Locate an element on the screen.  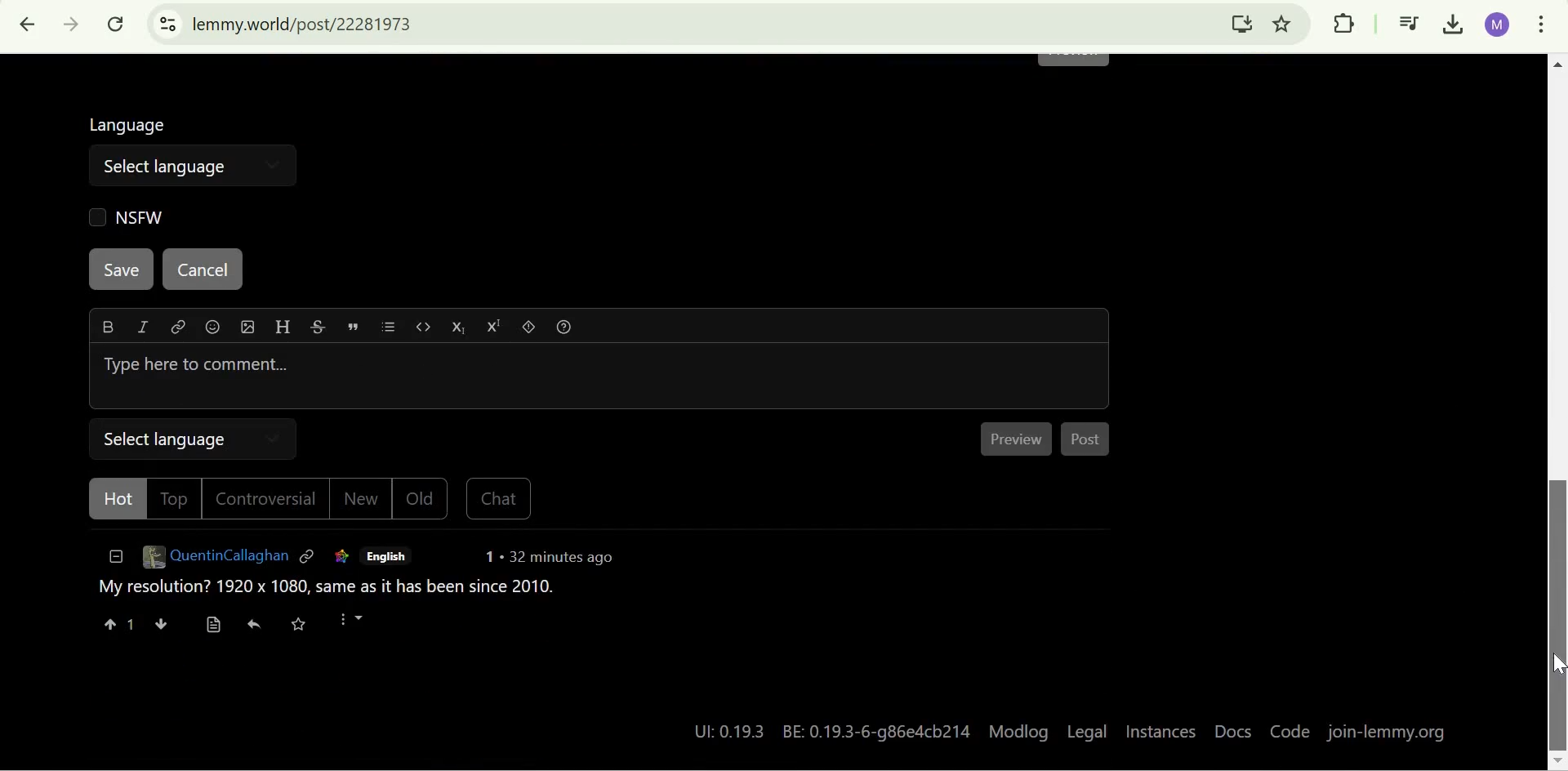
My resolution? 1920 x 1080, same as it has been since 2010. is located at coordinates (325, 592).